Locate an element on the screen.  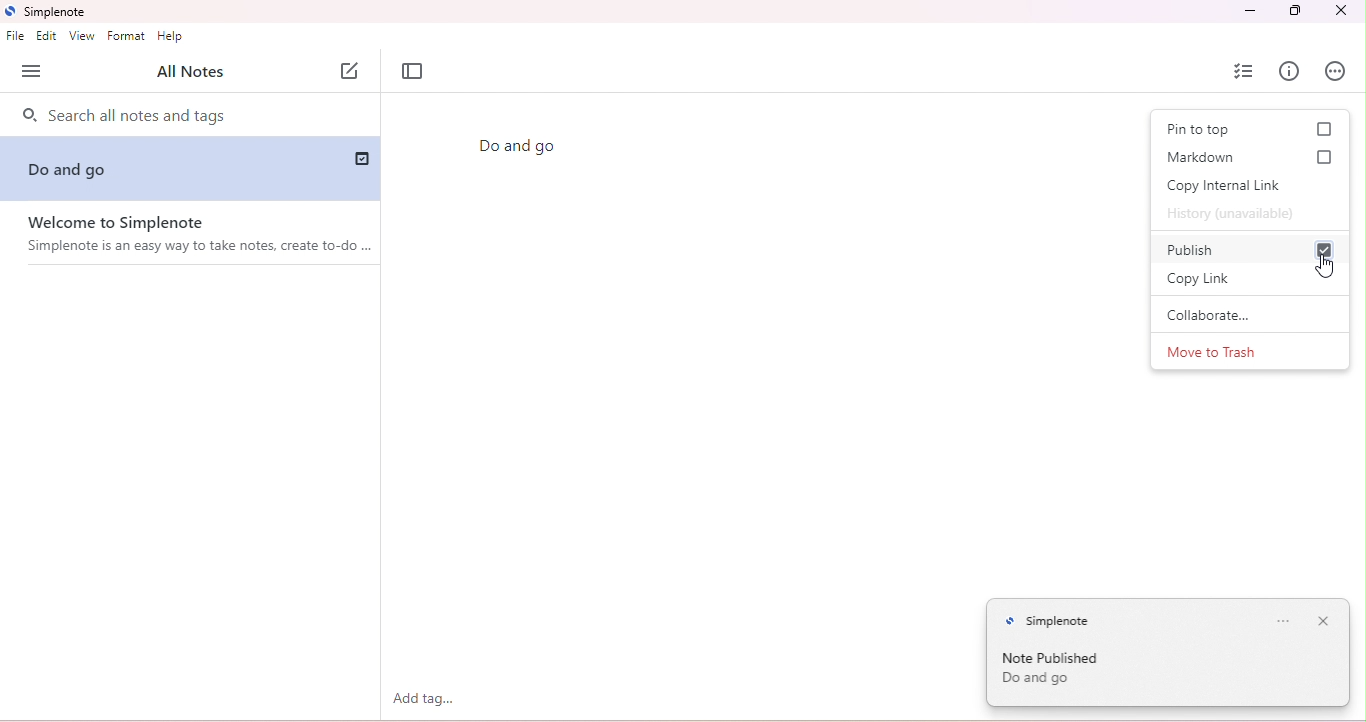
close is located at coordinates (1325, 620).